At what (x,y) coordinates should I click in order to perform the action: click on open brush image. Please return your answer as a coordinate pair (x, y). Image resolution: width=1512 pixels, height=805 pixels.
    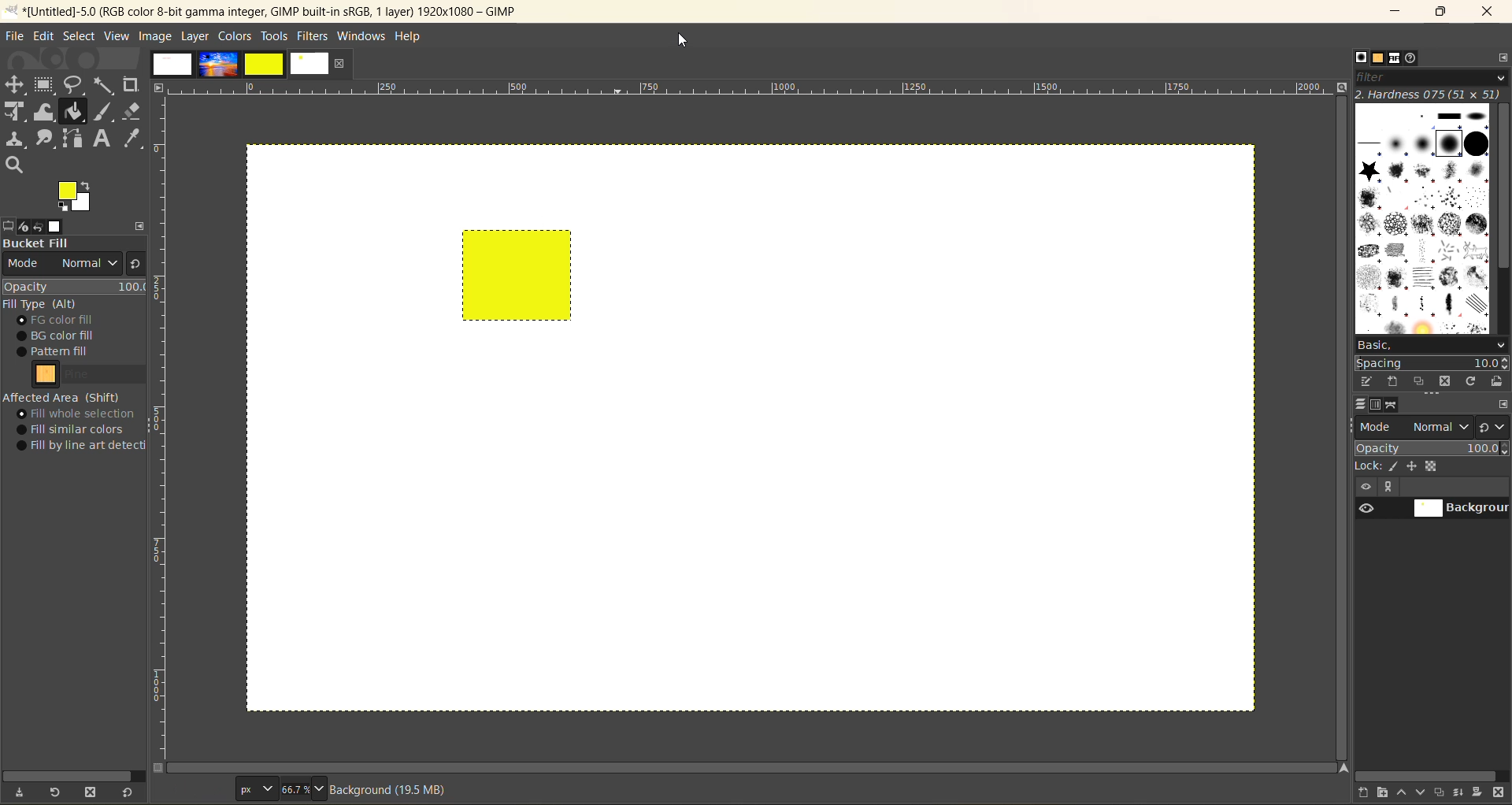
    Looking at the image, I should click on (1498, 383).